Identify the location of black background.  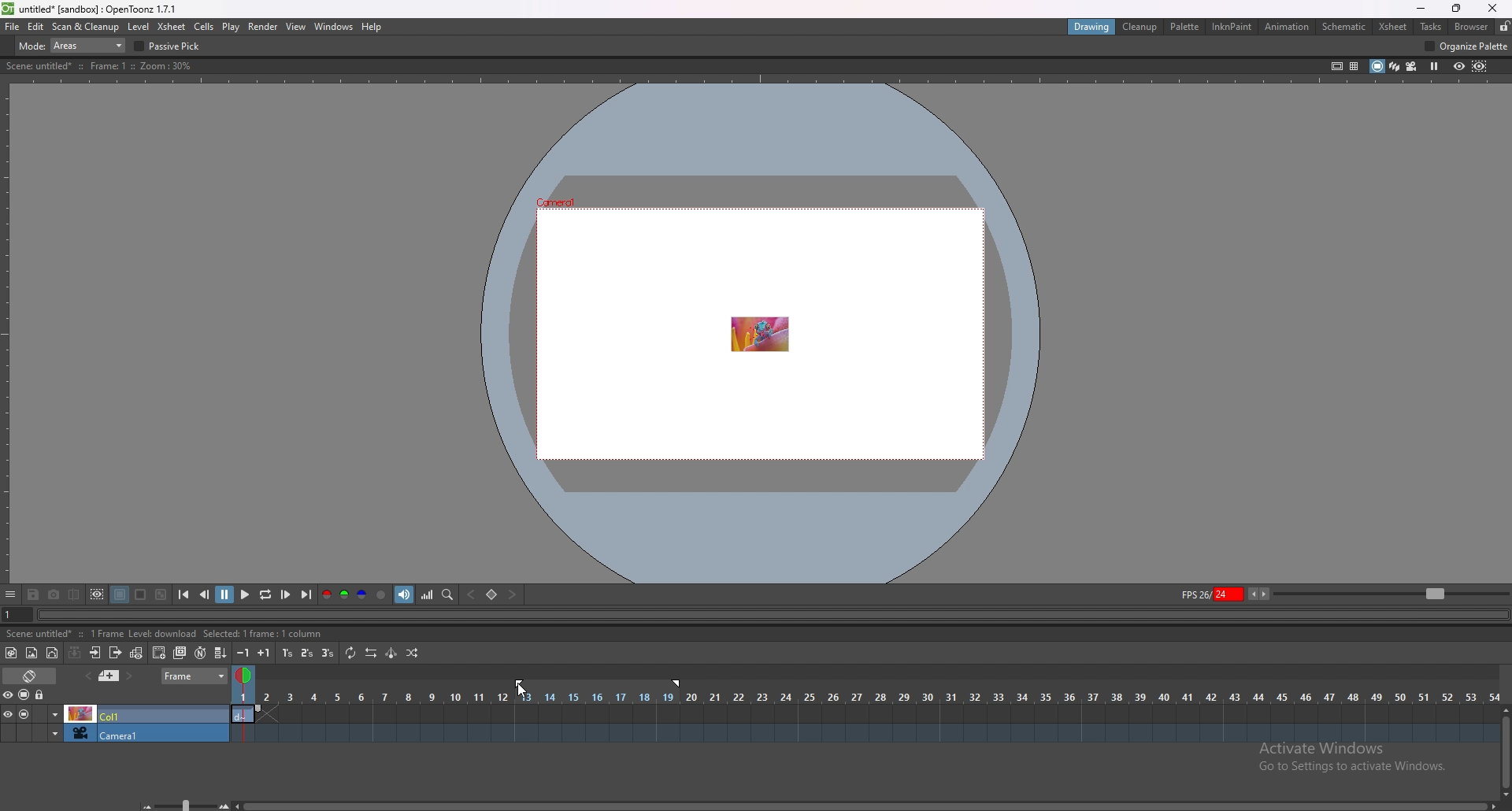
(120, 595).